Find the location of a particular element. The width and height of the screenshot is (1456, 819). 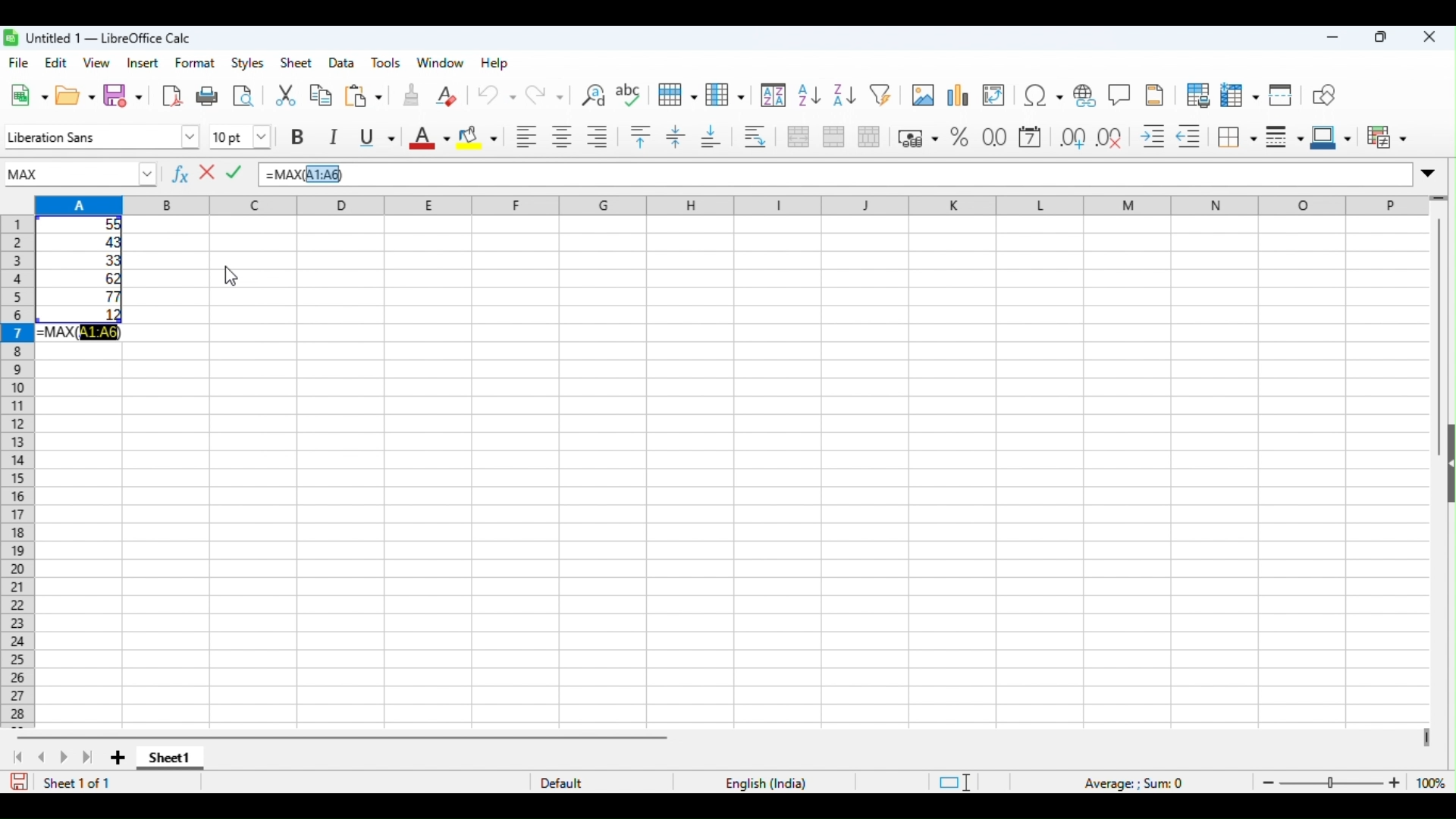

title is located at coordinates (99, 37).